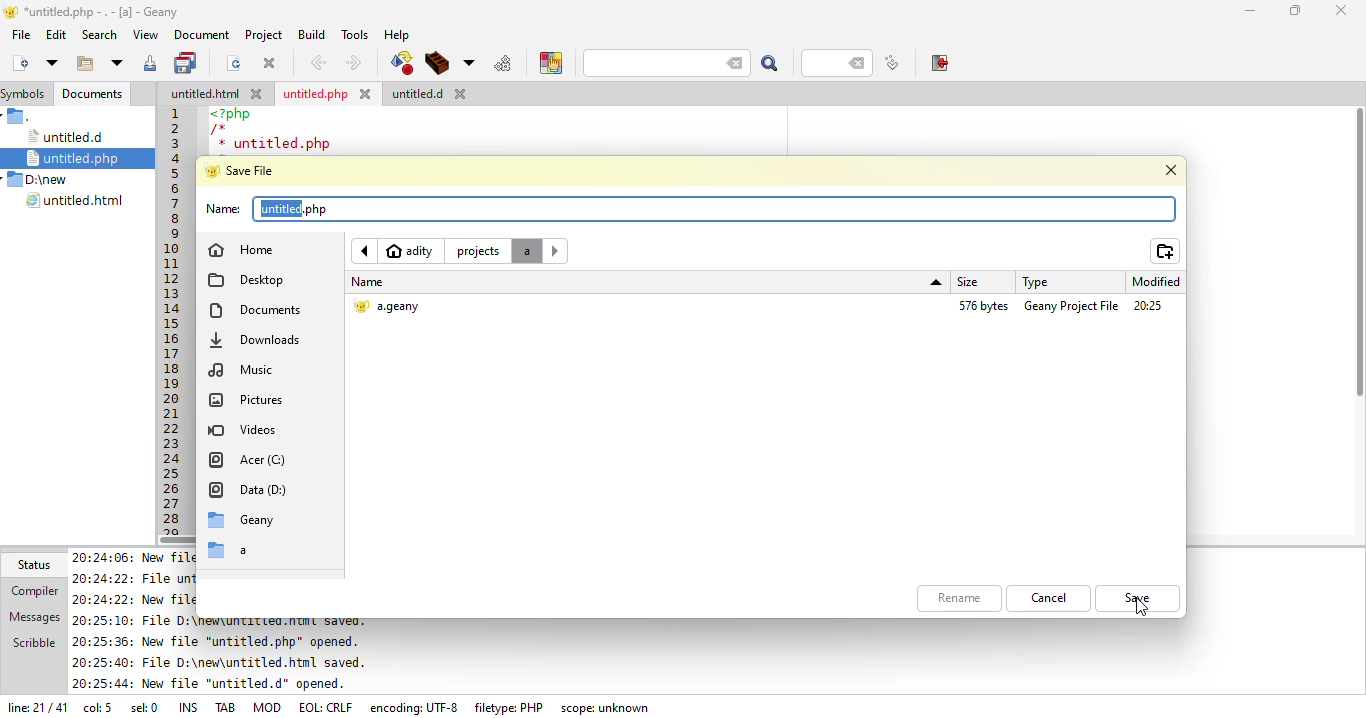 The height and width of the screenshot is (718, 1366). I want to click on geany, so click(246, 522).